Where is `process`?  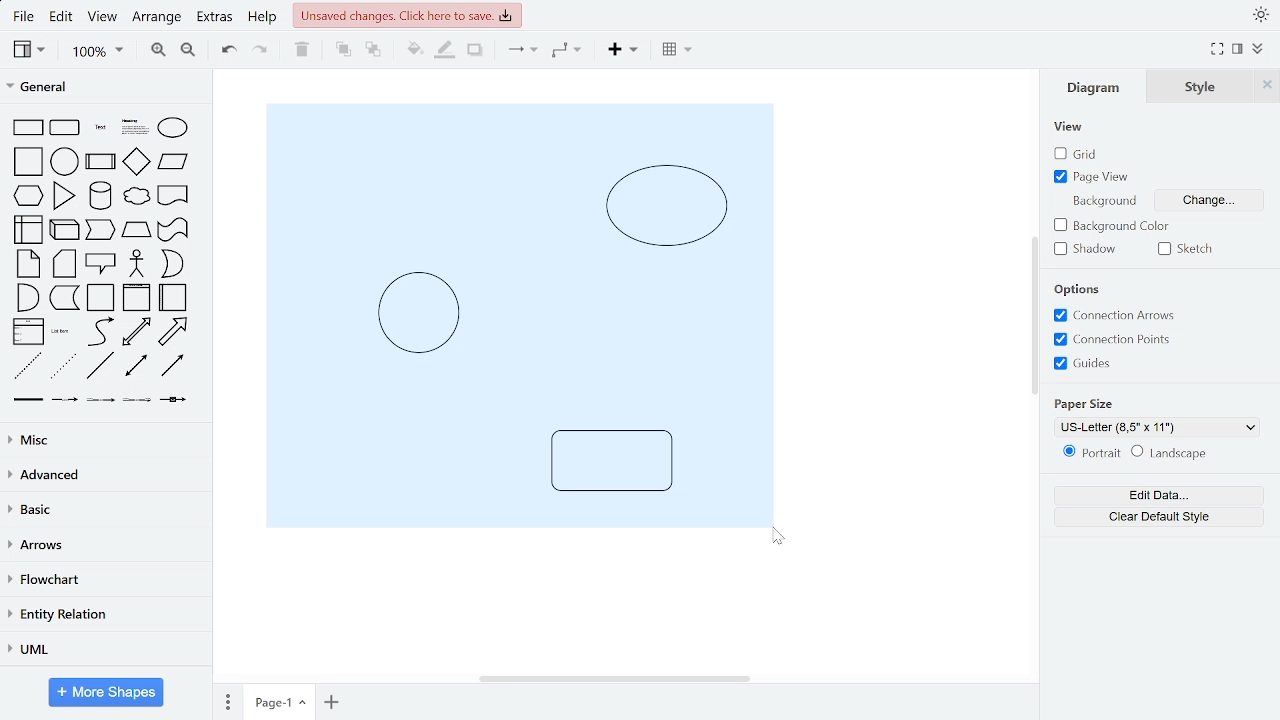
process is located at coordinates (101, 161).